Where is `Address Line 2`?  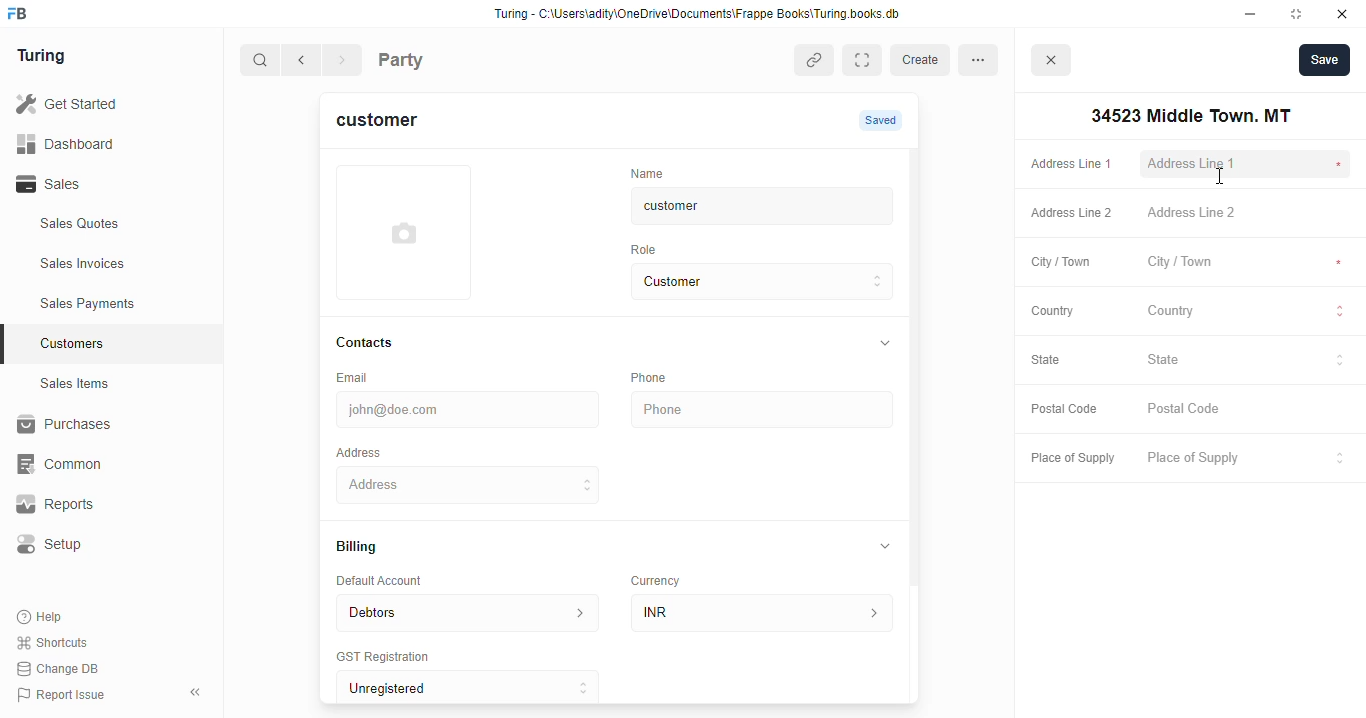 Address Line 2 is located at coordinates (1248, 214).